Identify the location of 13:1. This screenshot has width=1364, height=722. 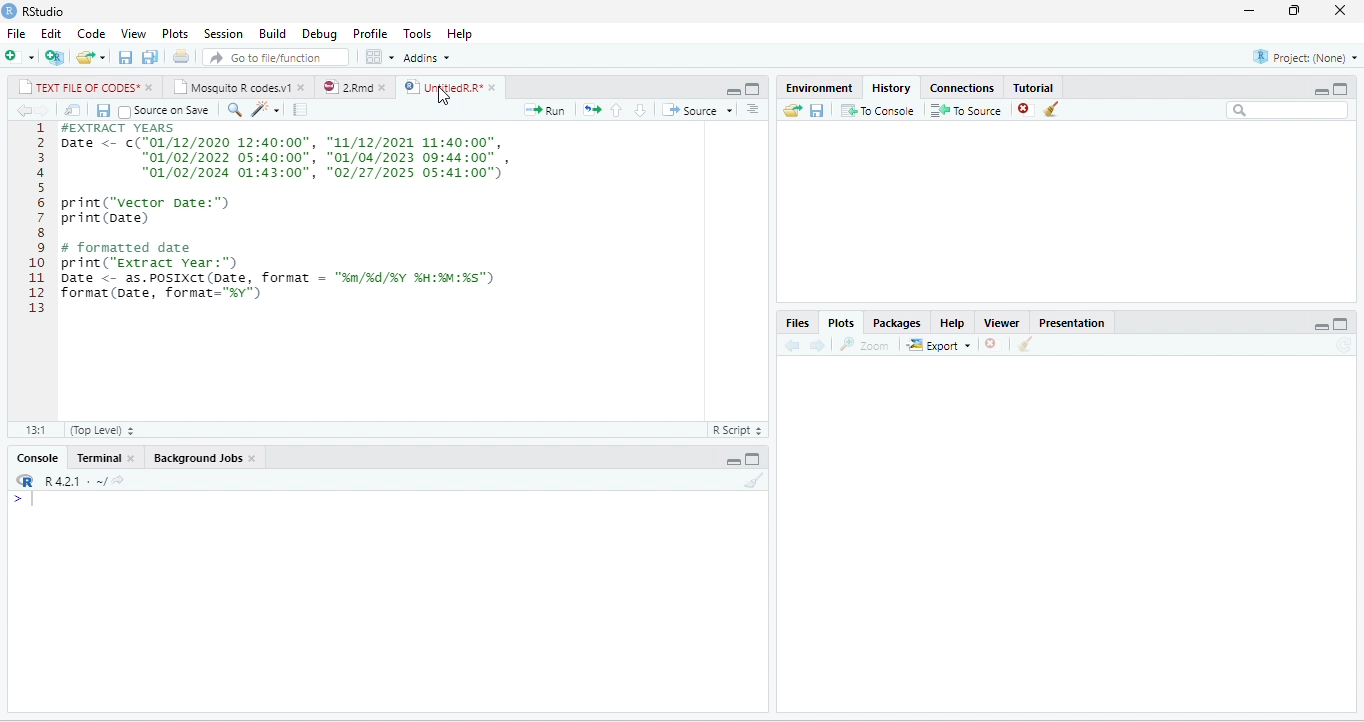
(35, 430).